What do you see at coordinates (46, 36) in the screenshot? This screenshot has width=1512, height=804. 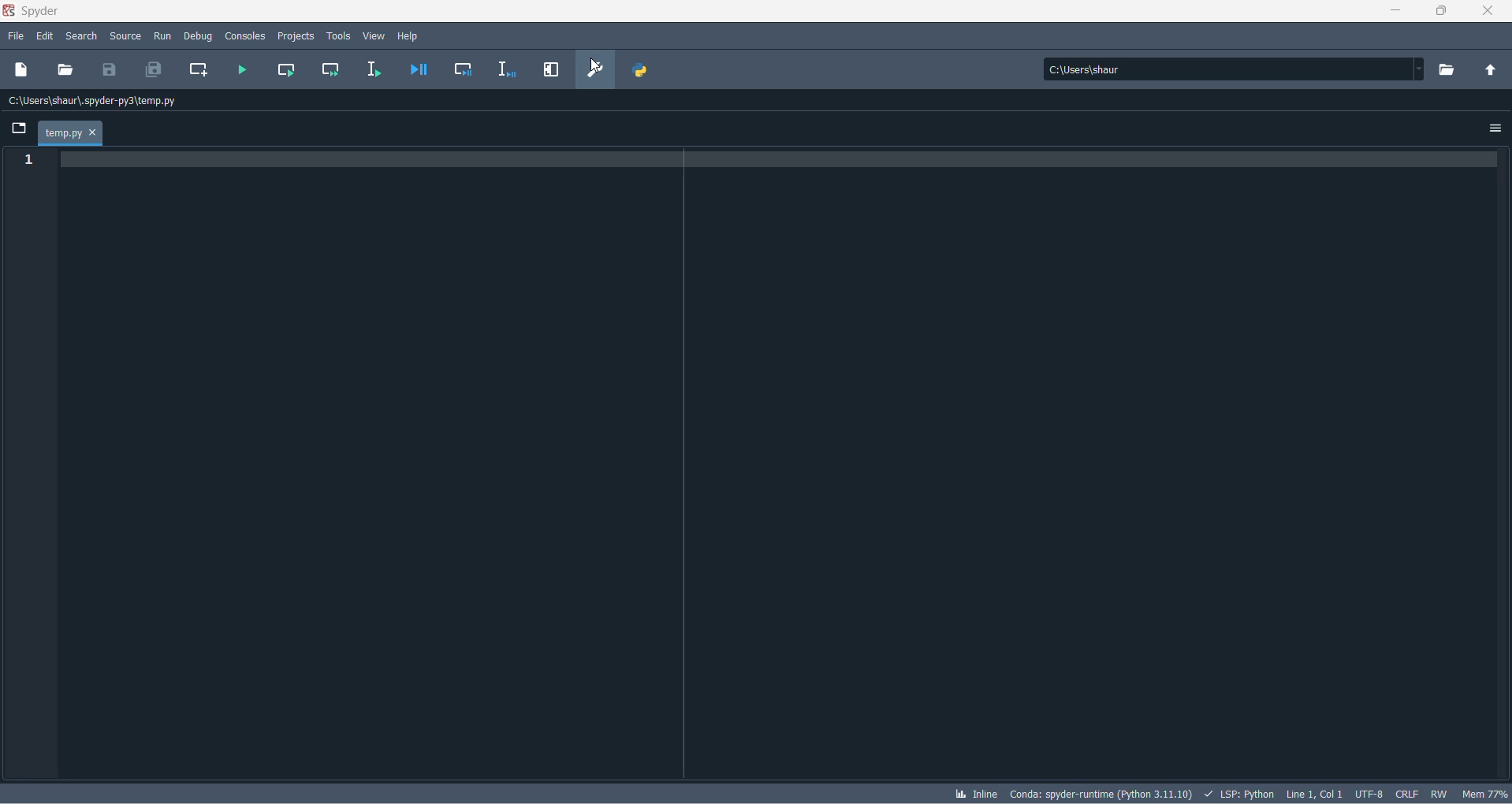 I see `edit` at bounding box center [46, 36].